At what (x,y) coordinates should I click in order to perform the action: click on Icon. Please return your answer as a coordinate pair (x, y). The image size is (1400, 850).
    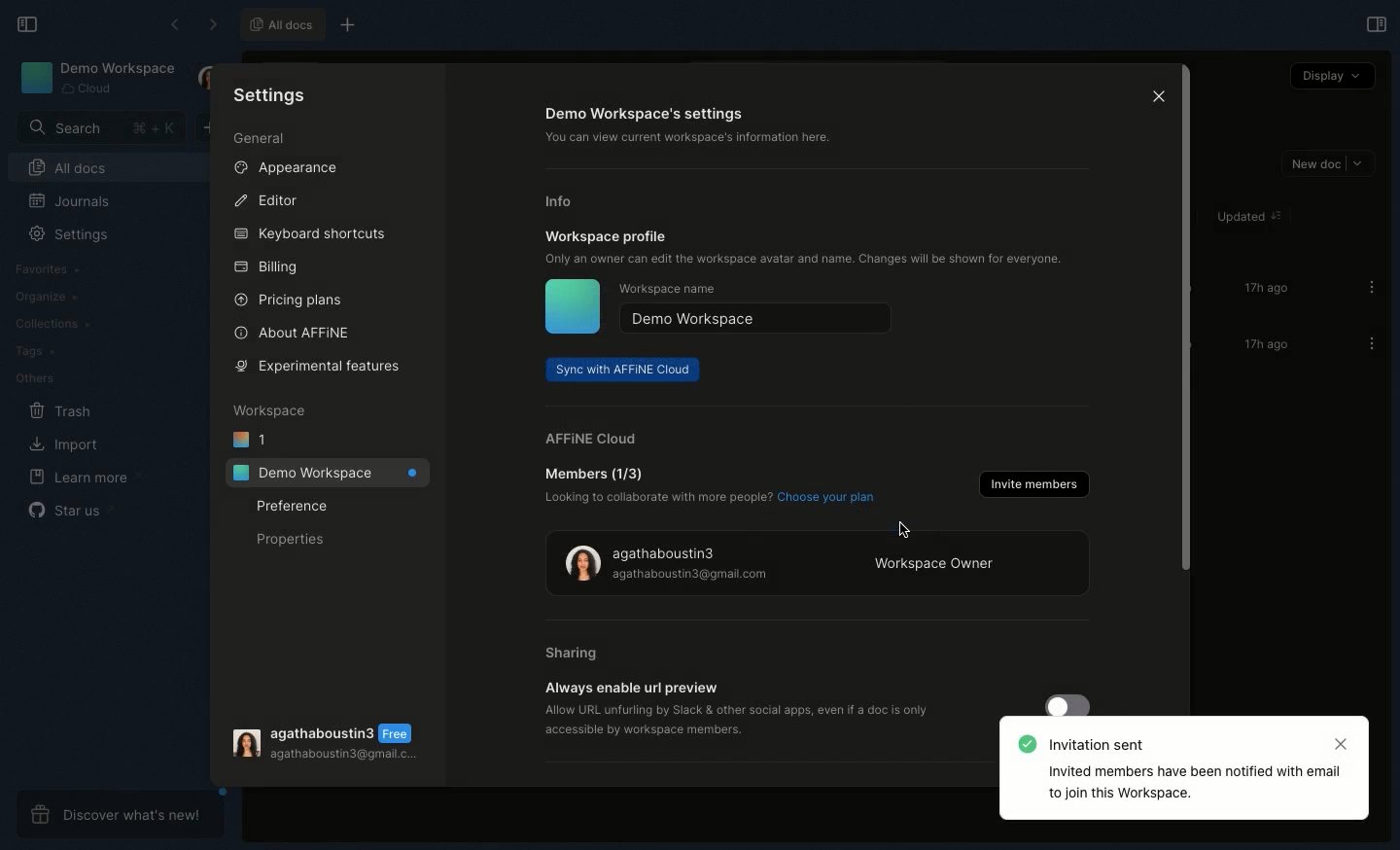
    Looking at the image, I should click on (572, 306).